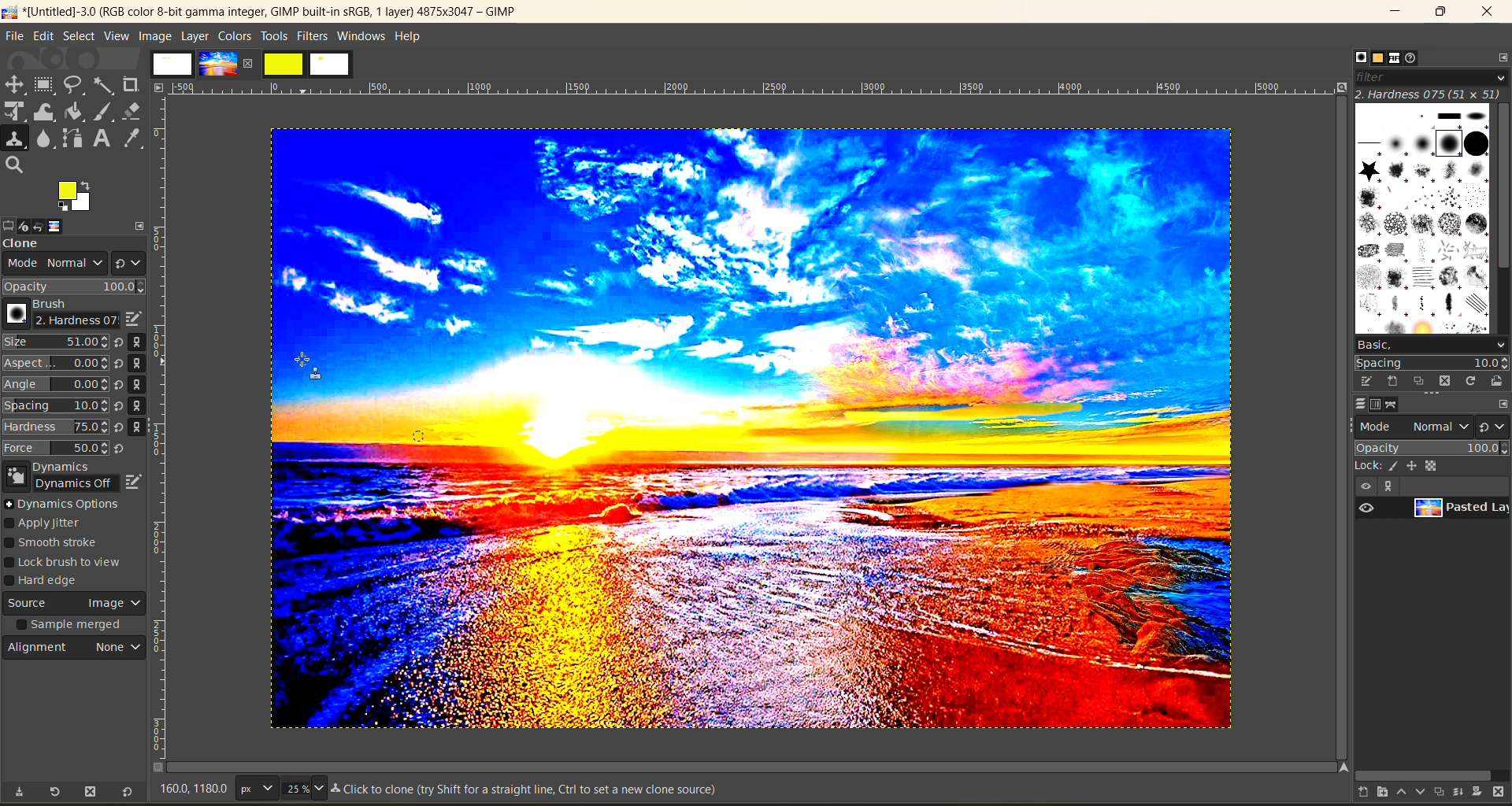 Image resolution: width=1512 pixels, height=806 pixels. What do you see at coordinates (45, 140) in the screenshot?
I see `smdge tool` at bounding box center [45, 140].